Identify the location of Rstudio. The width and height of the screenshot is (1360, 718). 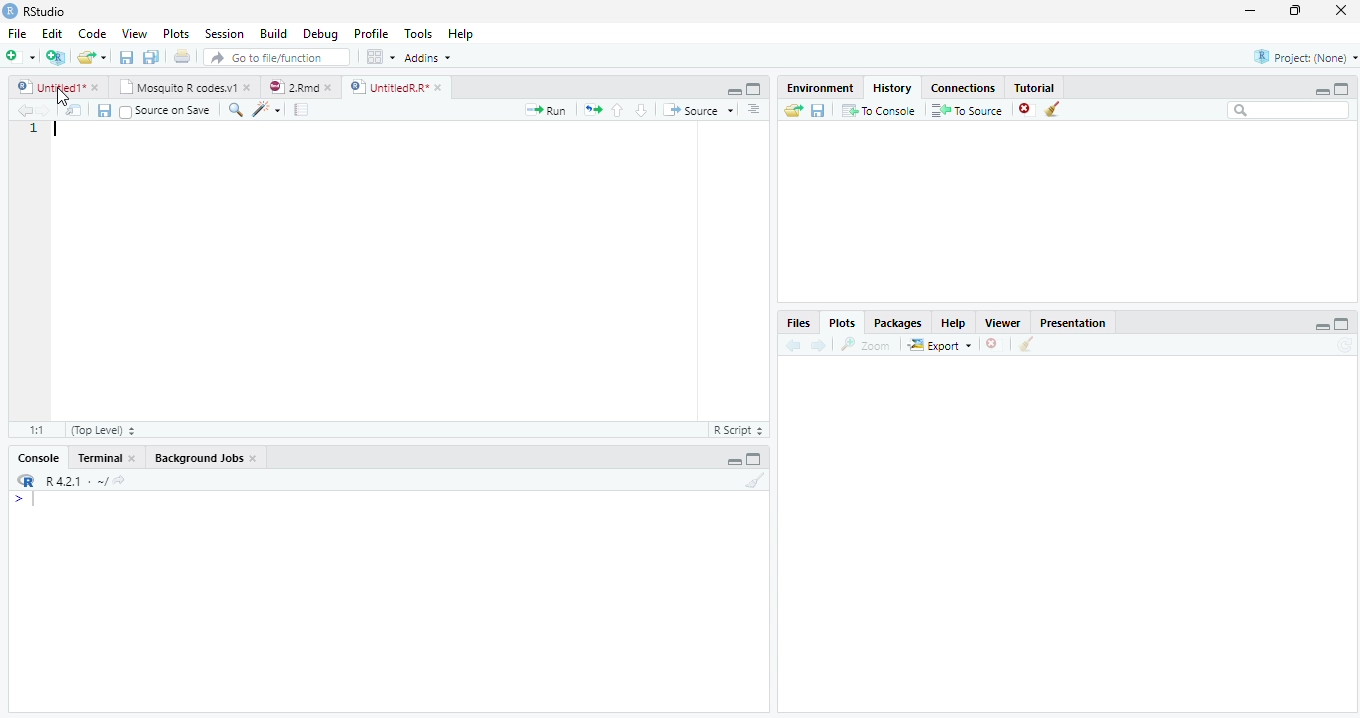
(34, 10).